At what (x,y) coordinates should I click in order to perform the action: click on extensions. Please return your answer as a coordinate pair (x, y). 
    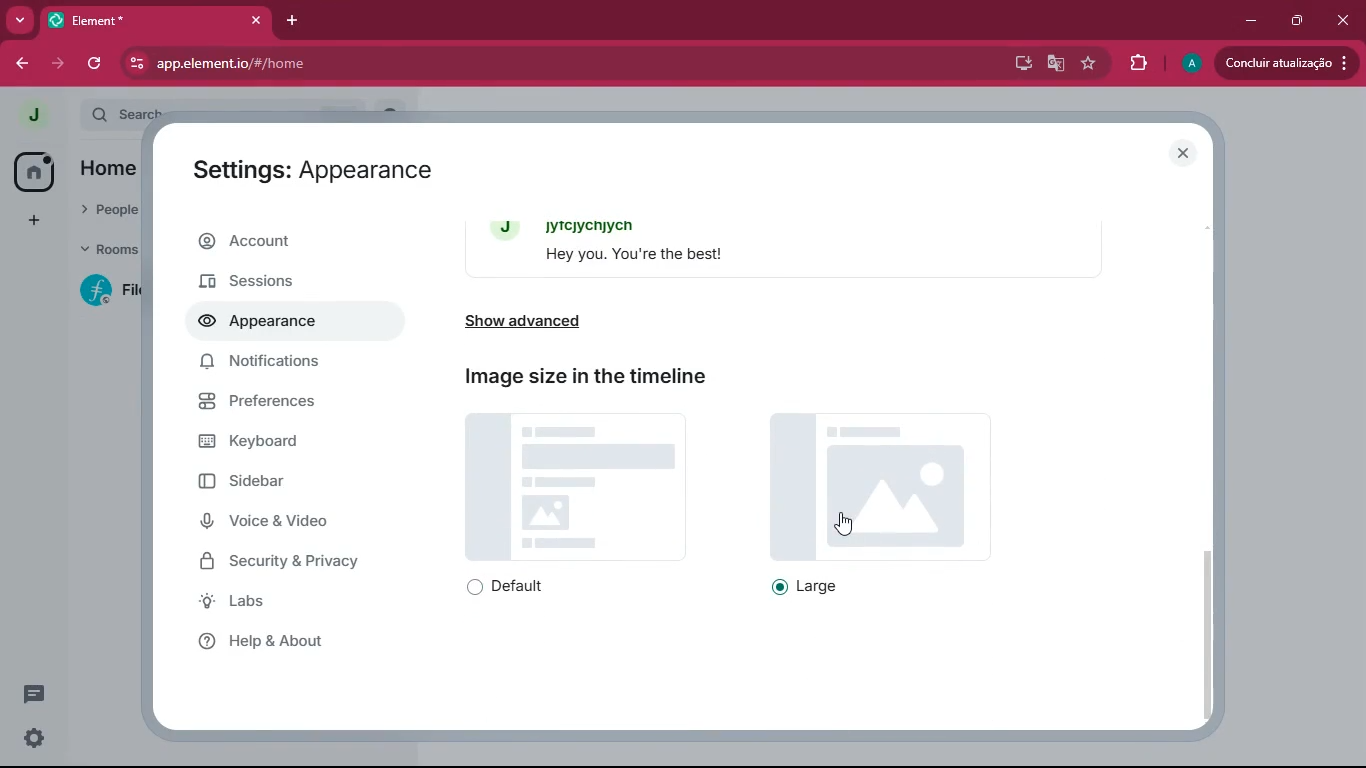
    Looking at the image, I should click on (1132, 64).